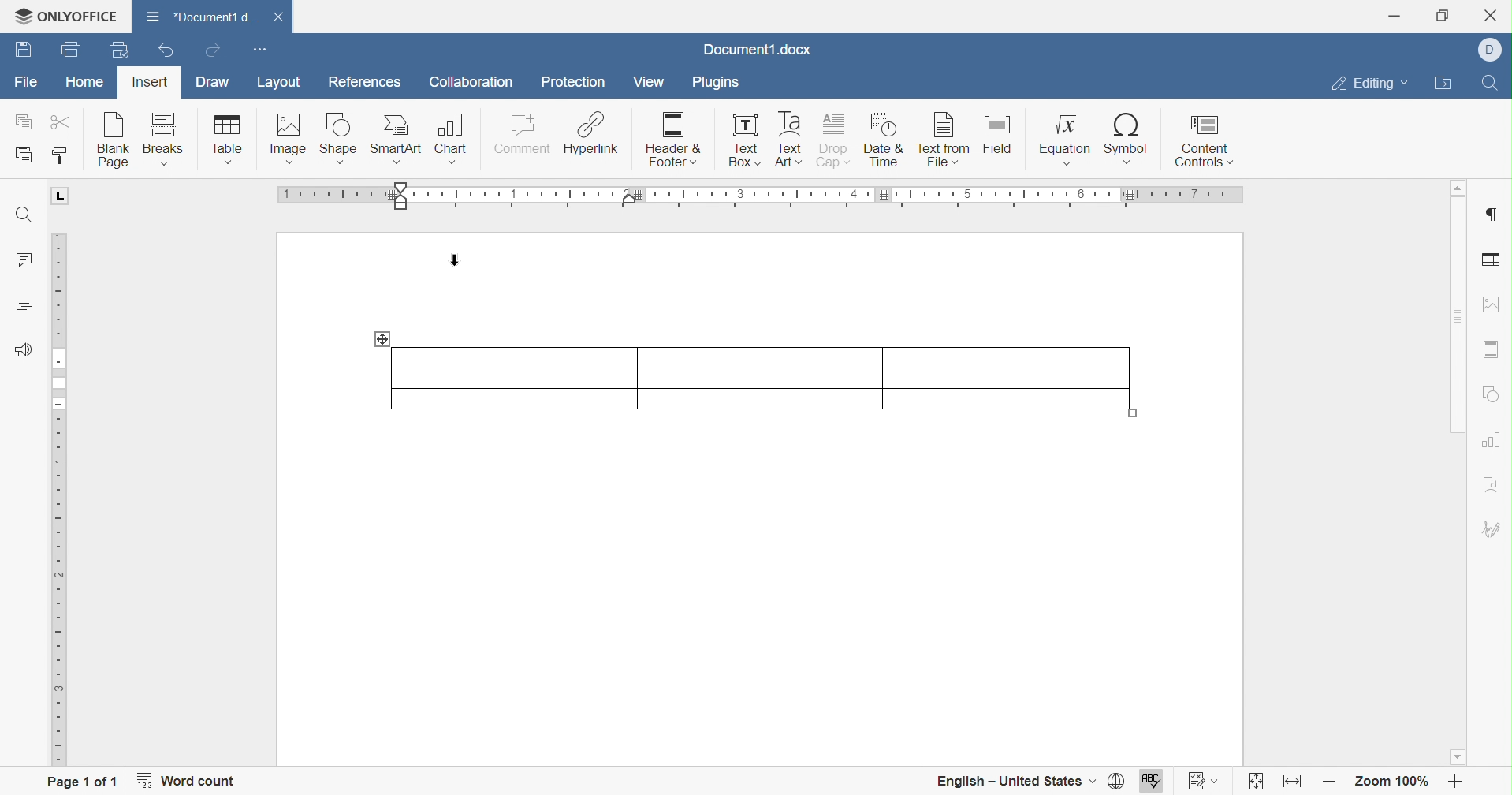 The height and width of the screenshot is (795, 1512). Describe the element at coordinates (162, 140) in the screenshot. I see `Insert breaks` at that location.